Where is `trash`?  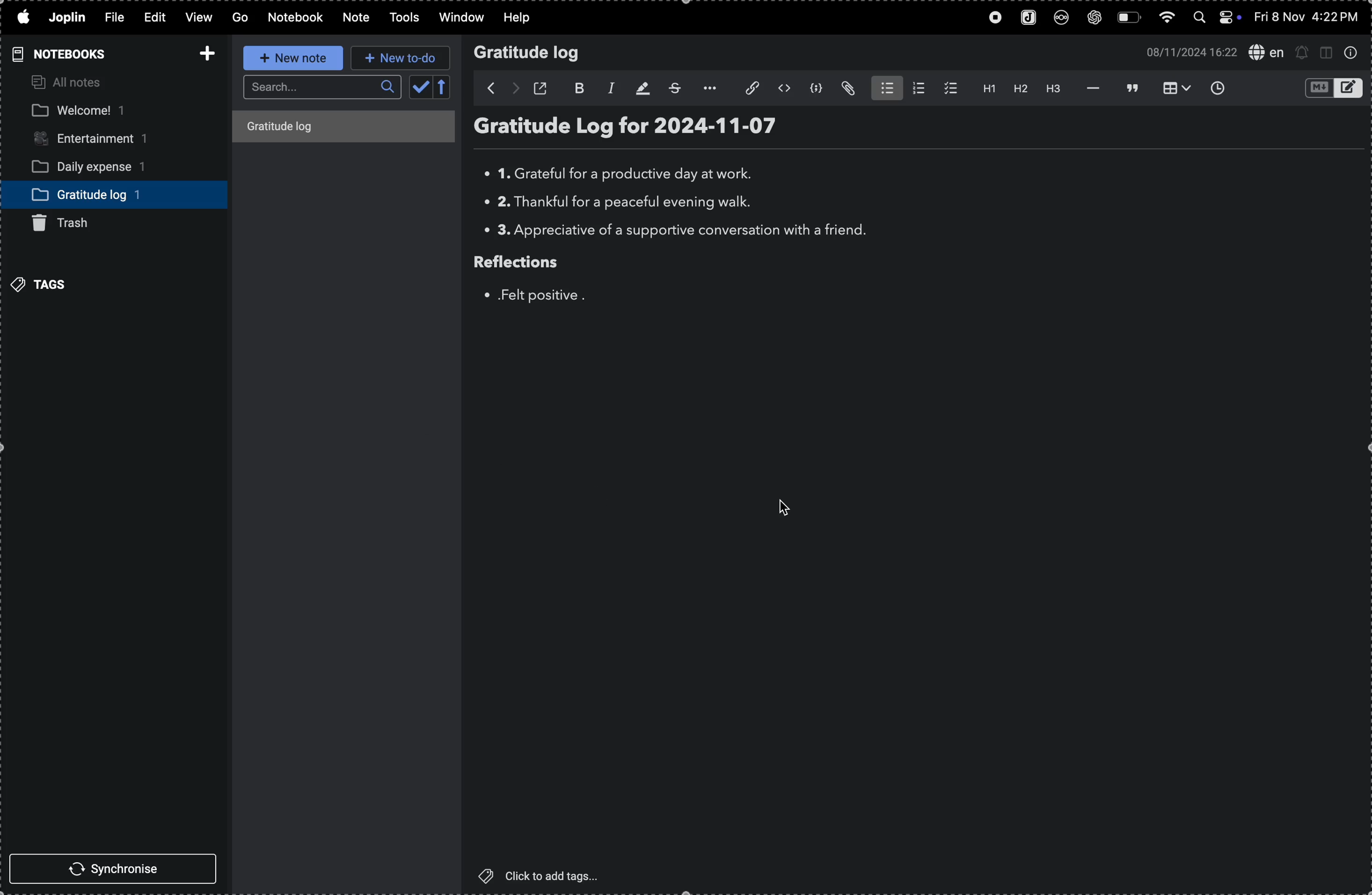 trash is located at coordinates (61, 222).